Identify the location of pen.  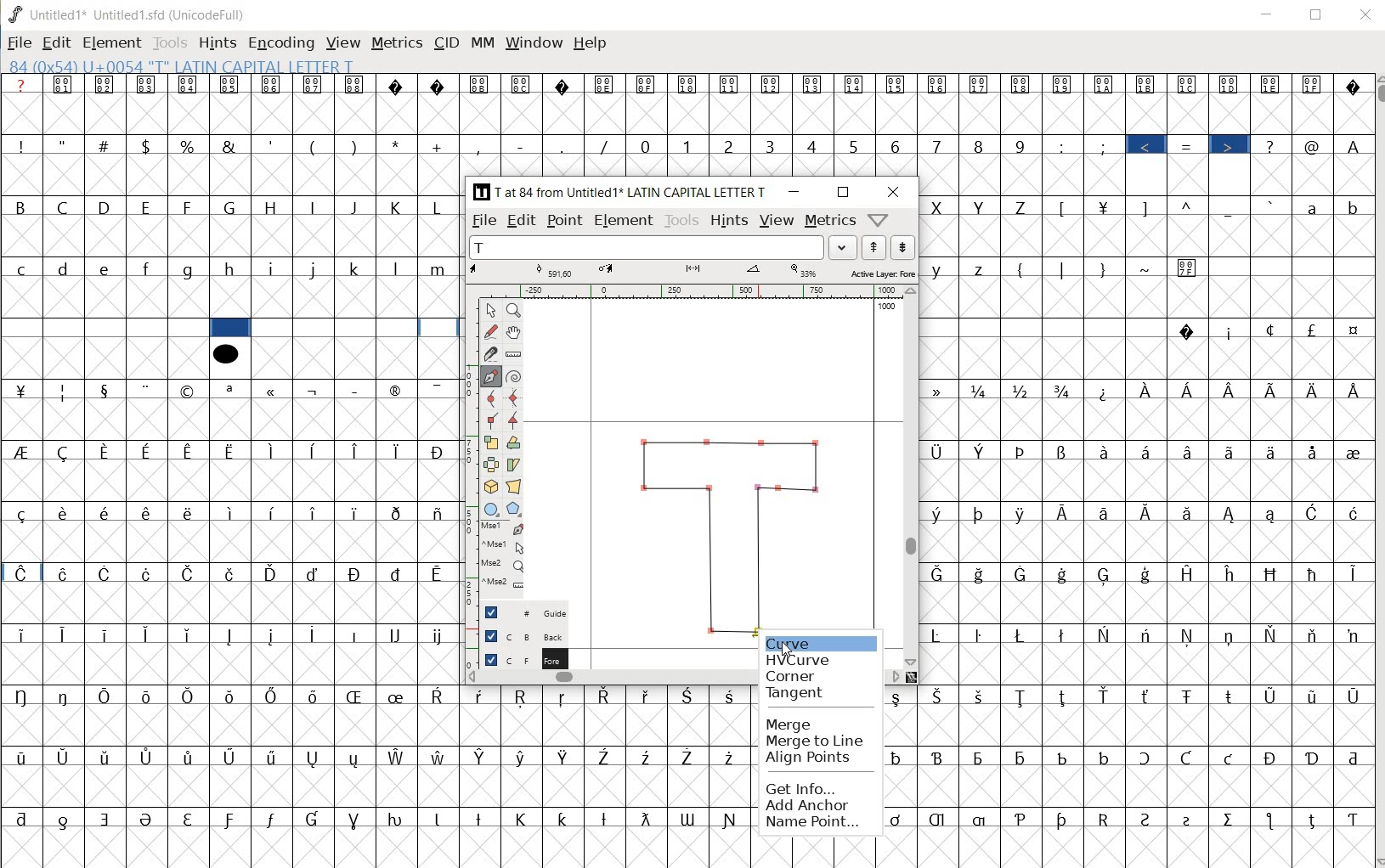
(491, 375).